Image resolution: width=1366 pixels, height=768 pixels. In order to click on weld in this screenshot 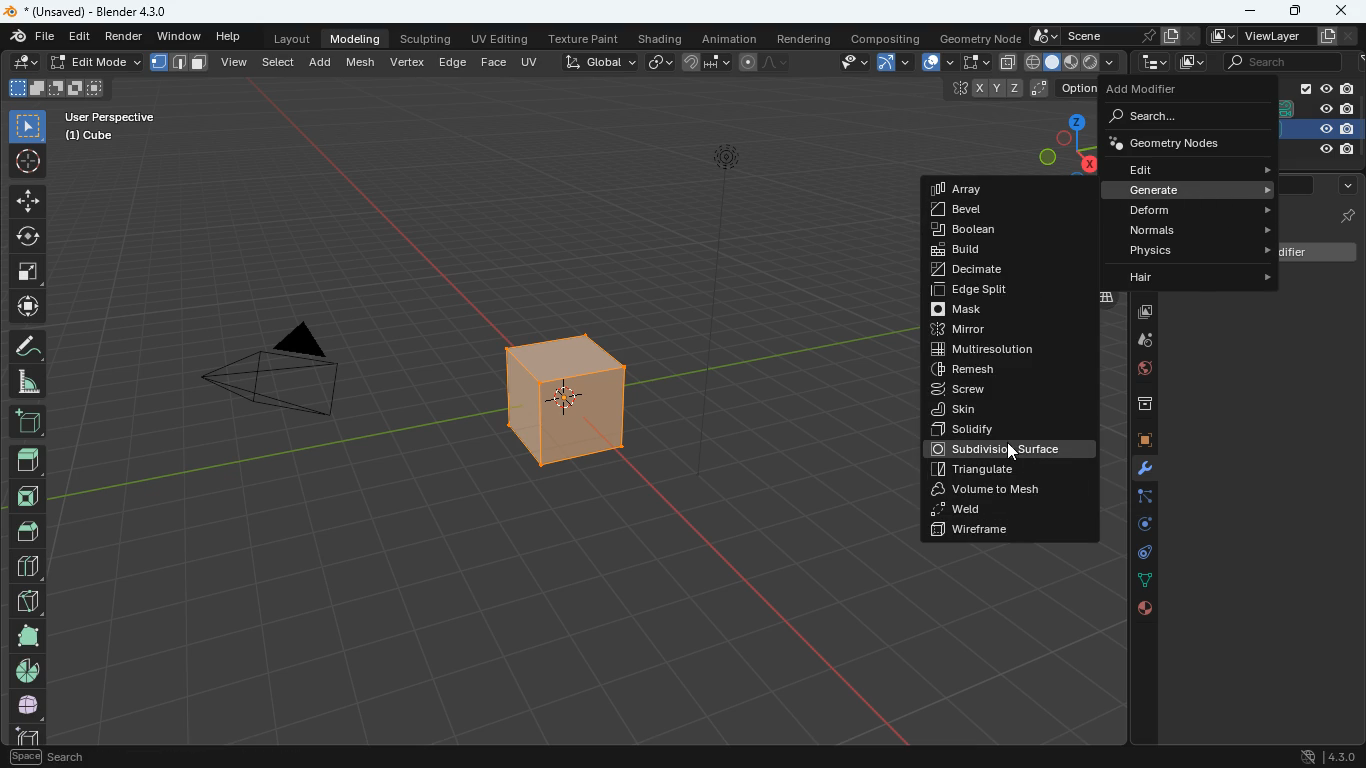, I will do `click(1001, 510)`.